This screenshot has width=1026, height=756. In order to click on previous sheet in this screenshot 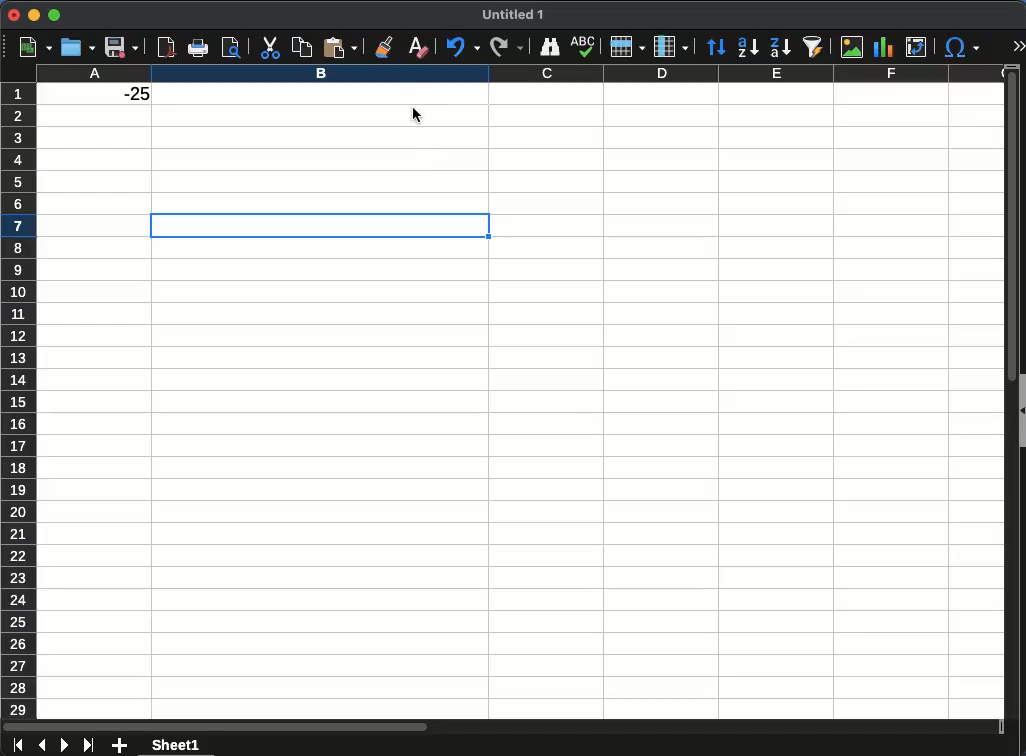, I will do `click(44, 746)`.